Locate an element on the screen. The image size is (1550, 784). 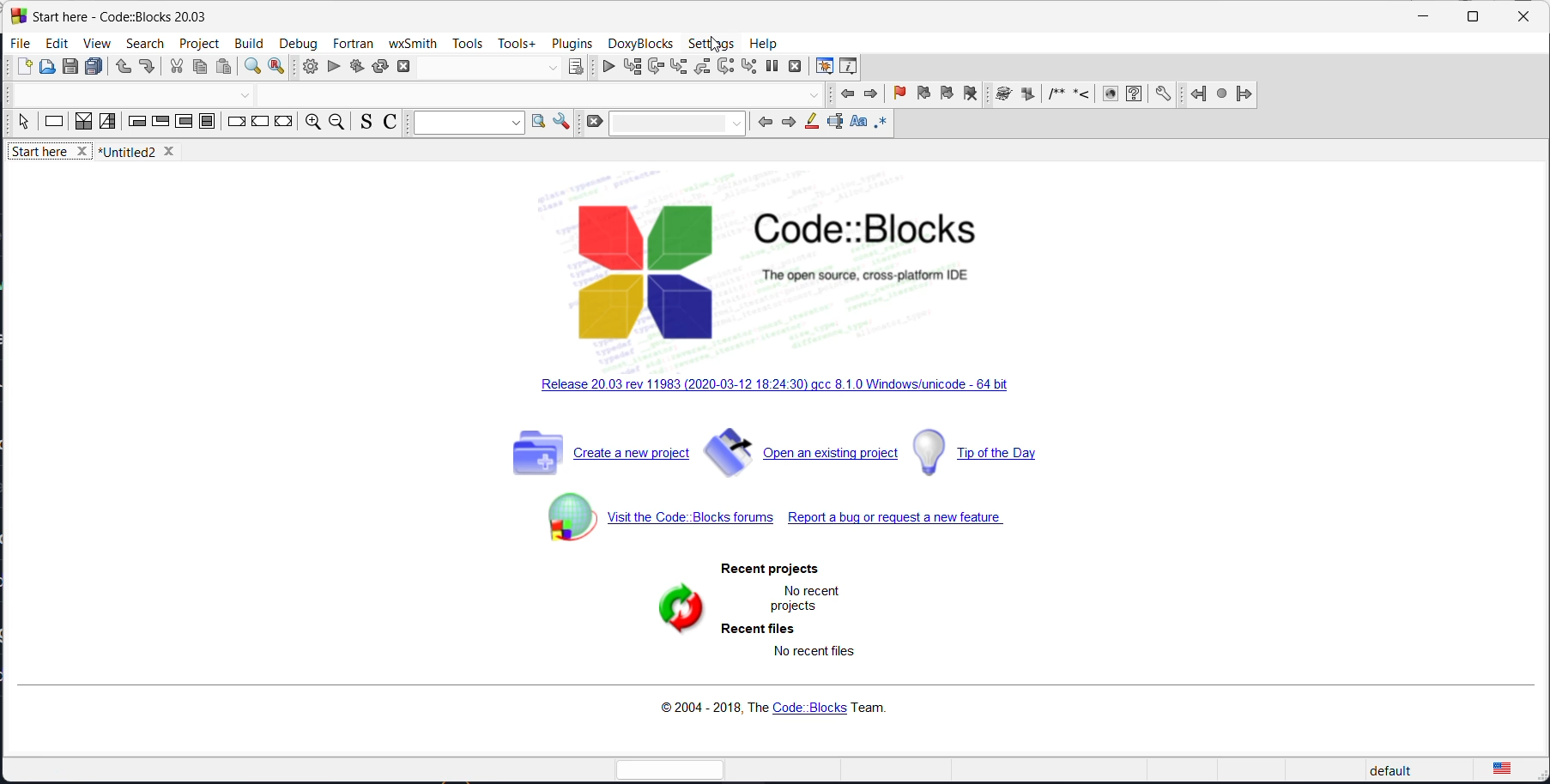
no recent files is located at coordinates (809, 657).